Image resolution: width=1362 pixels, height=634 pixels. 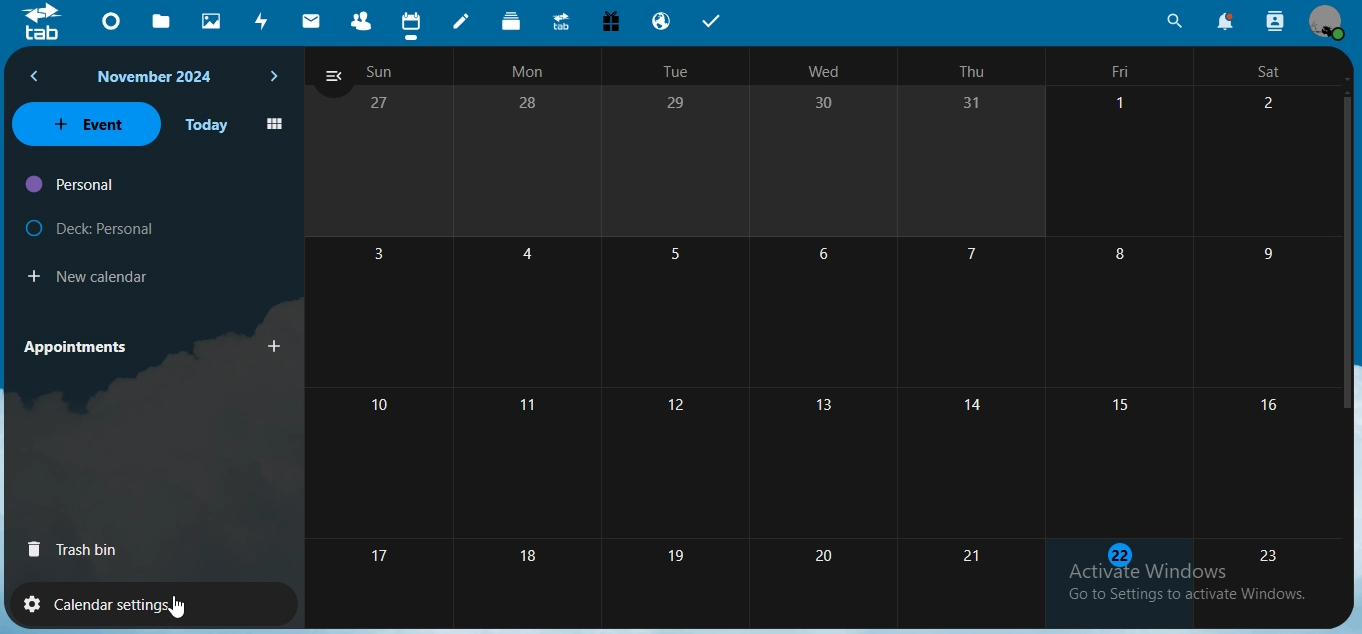 I want to click on view profile, so click(x=1325, y=22).